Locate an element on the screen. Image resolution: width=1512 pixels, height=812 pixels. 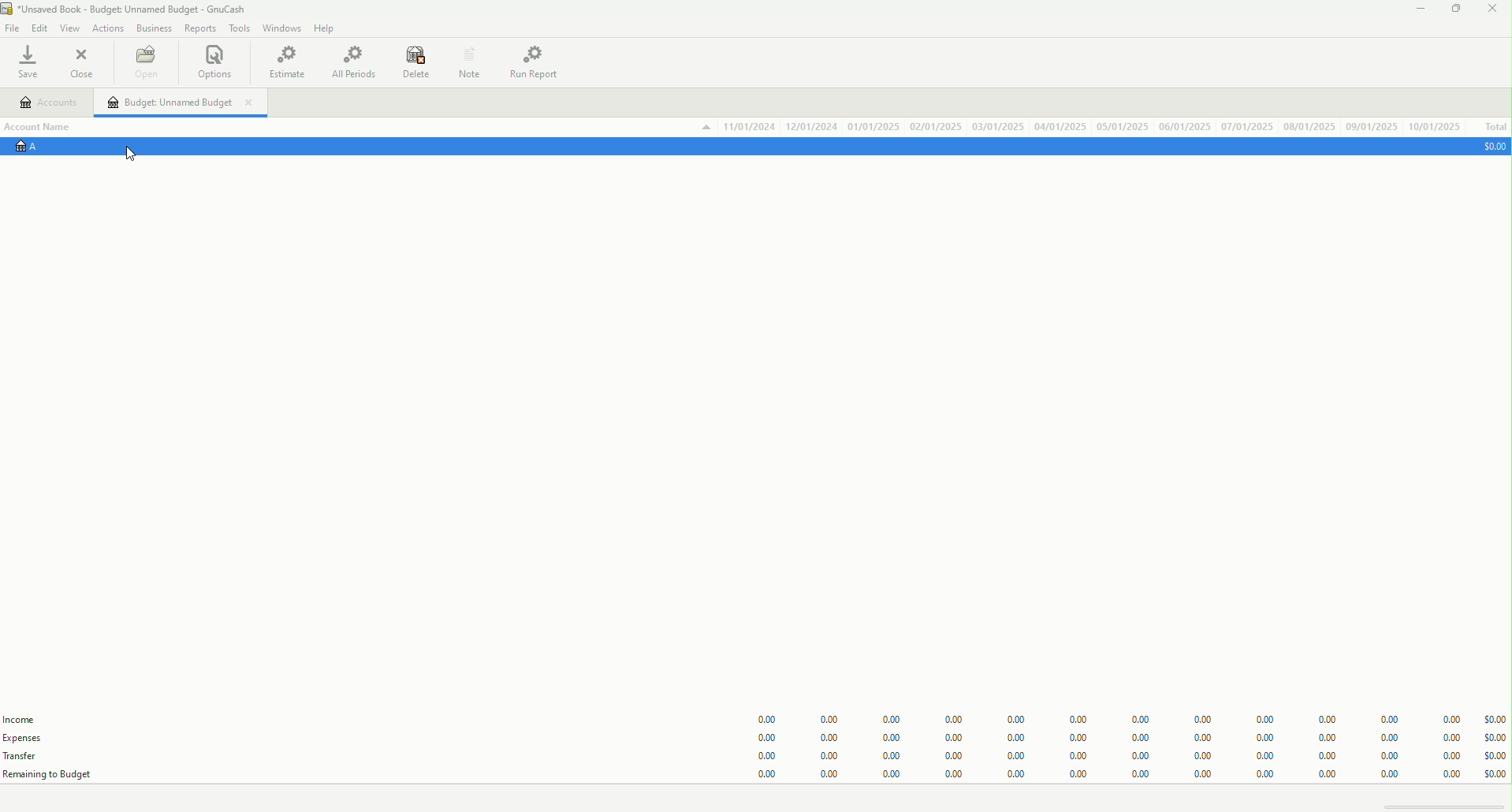
Estimate is located at coordinates (286, 61).